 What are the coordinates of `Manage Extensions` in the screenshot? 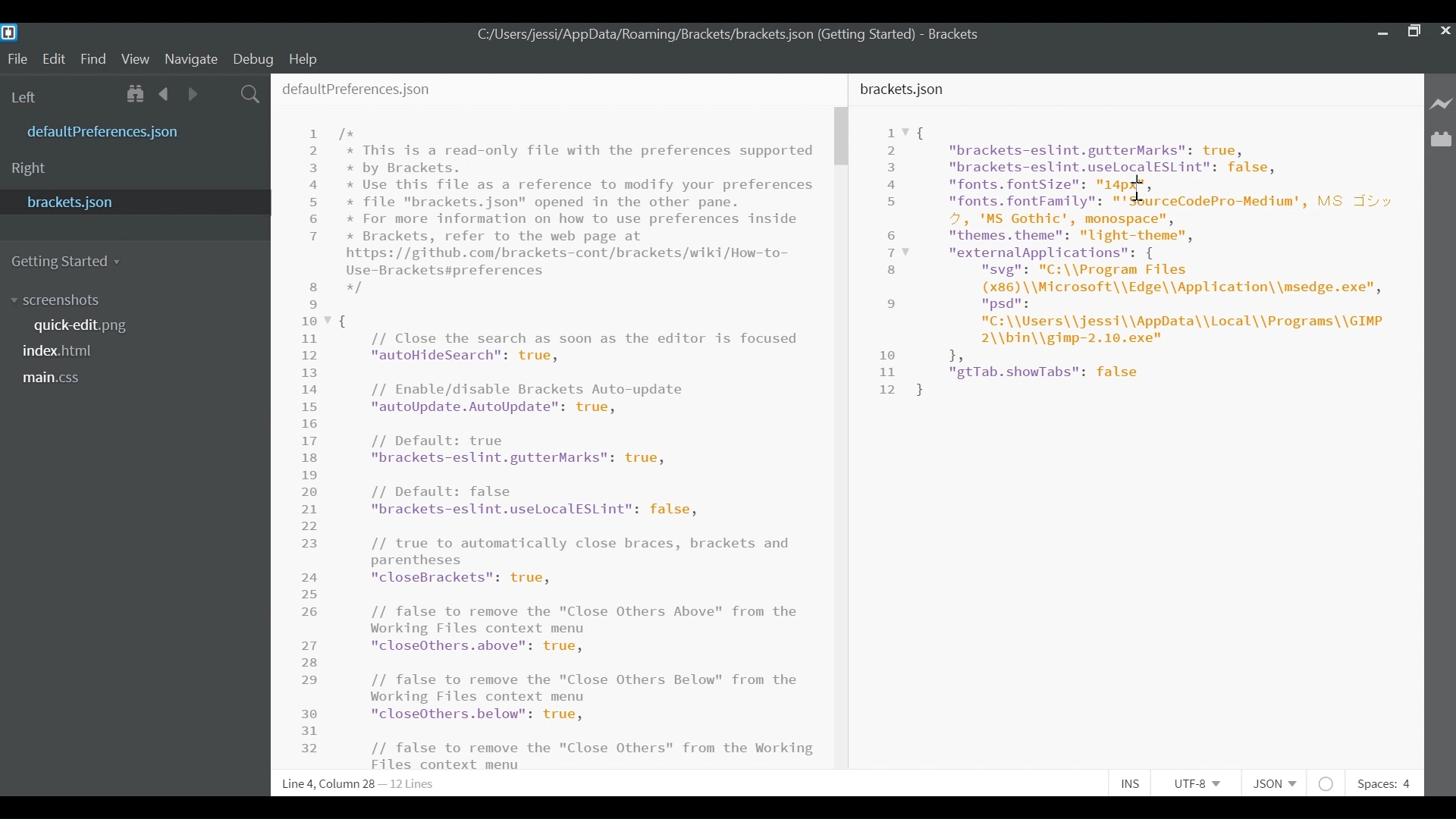 It's located at (1441, 140).